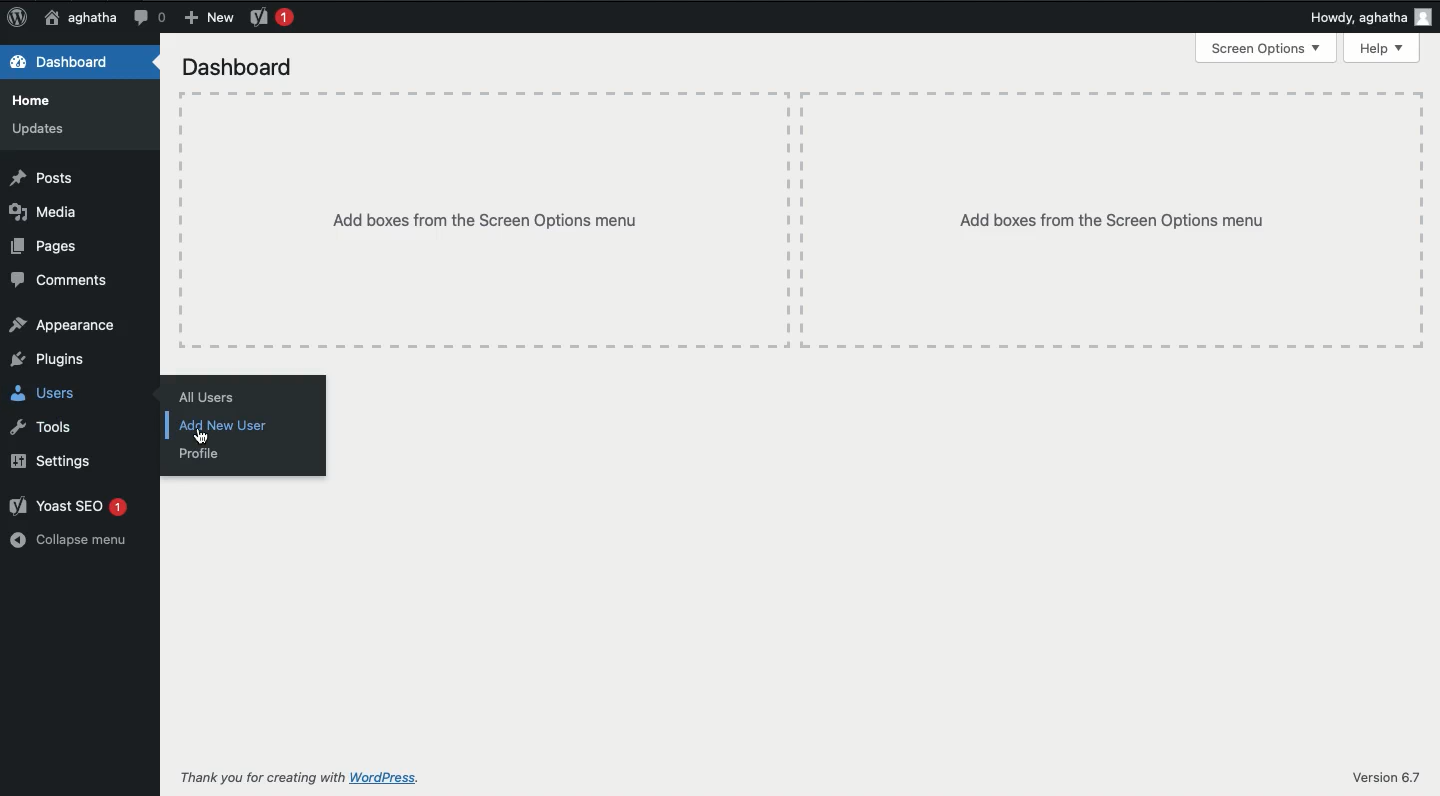 This screenshot has width=1440, height=796. I want to click on Tools, so click(45, 428).